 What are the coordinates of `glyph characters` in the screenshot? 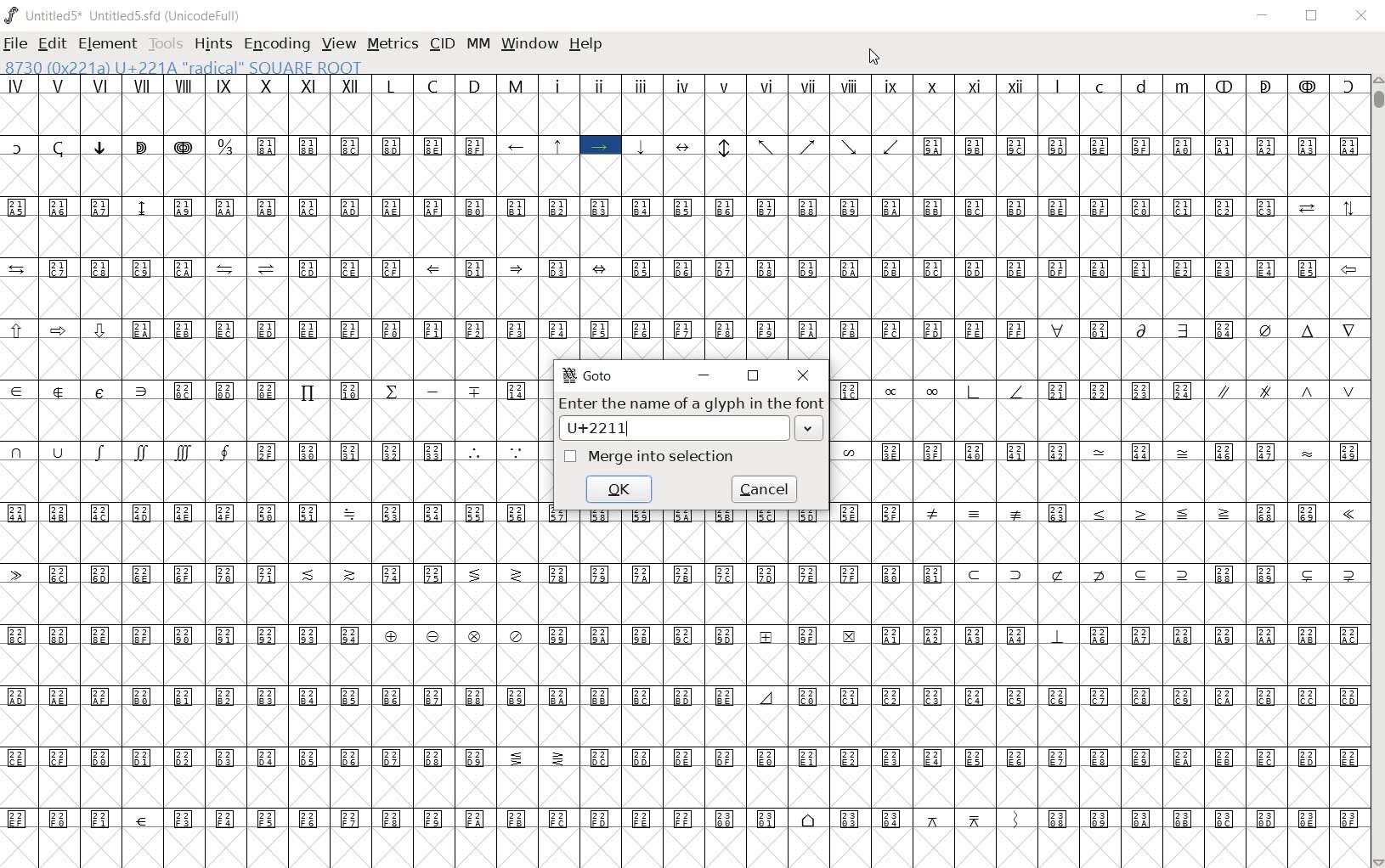 It's located at (954, 194).